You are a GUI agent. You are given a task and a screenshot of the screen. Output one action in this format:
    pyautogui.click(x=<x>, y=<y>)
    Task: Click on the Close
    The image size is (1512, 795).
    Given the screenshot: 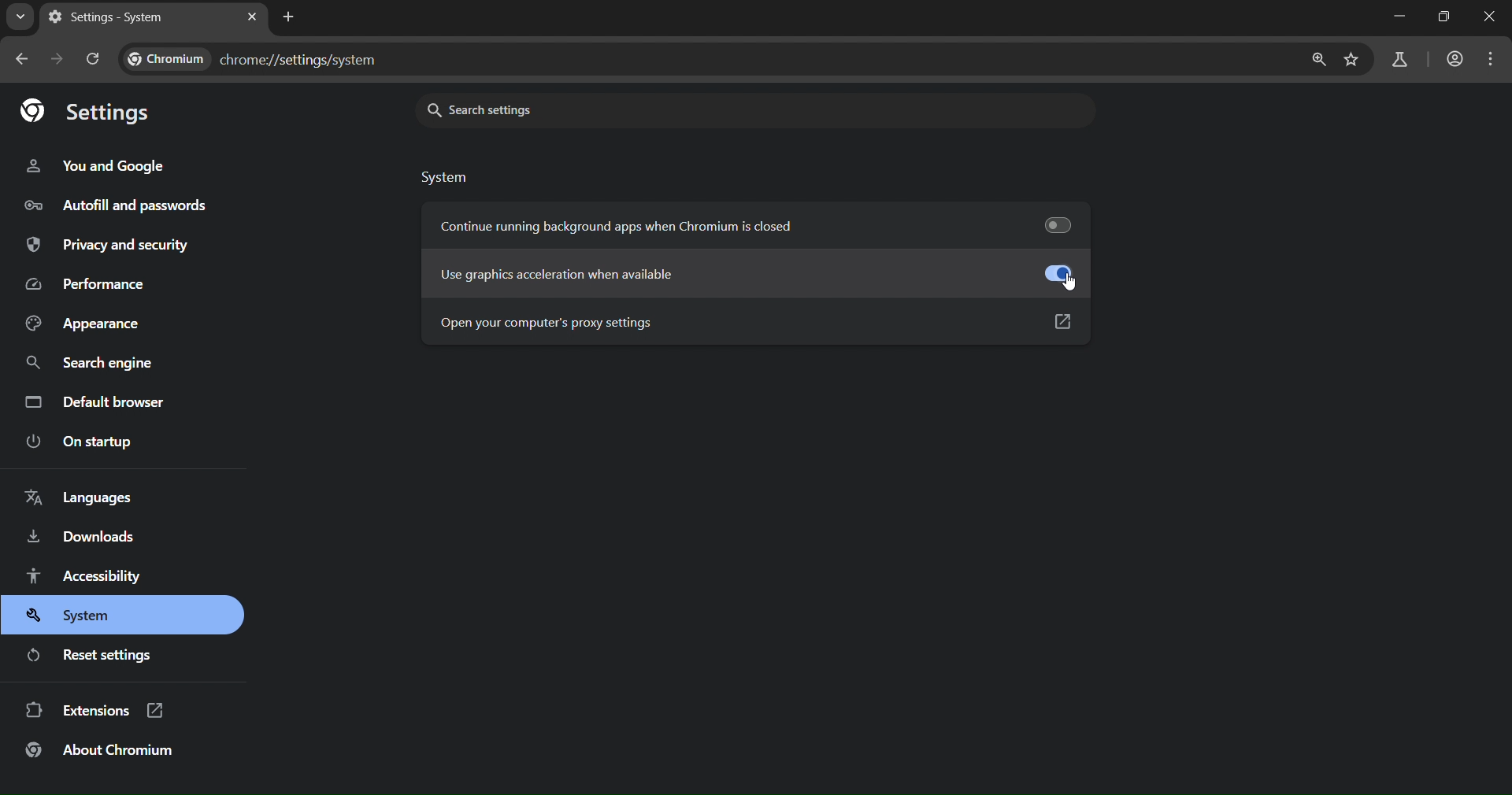 What is the action you would take?
    pyautogui.click(x=1492, y=17)
    